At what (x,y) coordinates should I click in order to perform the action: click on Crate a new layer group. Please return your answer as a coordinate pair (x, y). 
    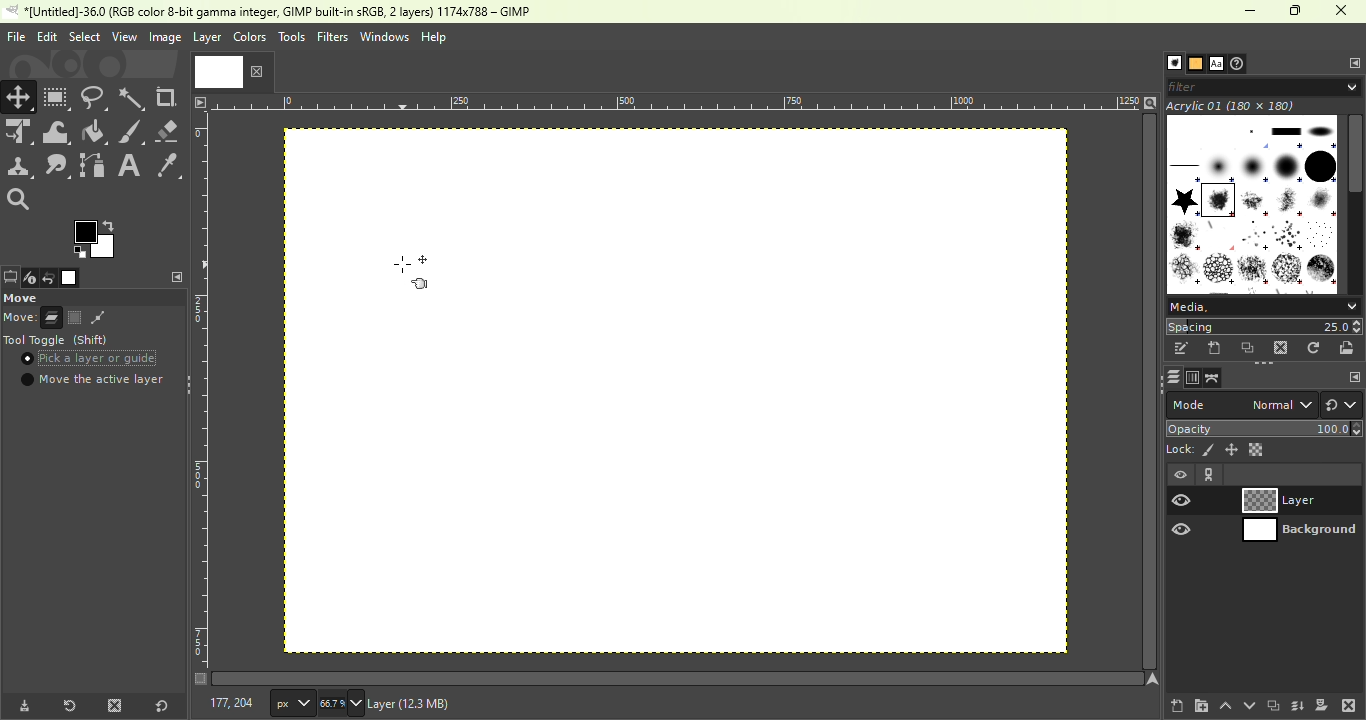
    Looking at the image, I should click on (1200, 705).